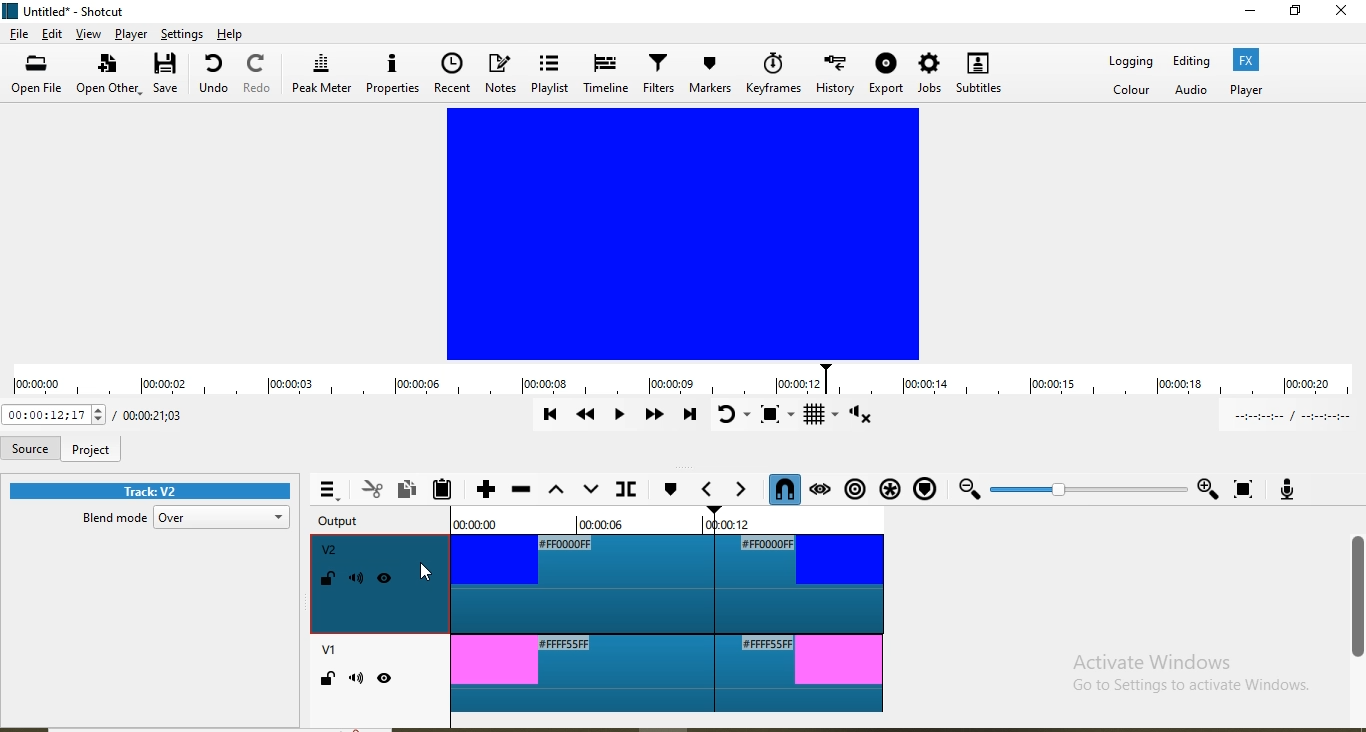  Describe the element at coordinates (854, 490) in the screenshot. I see `Ripple` at that location.